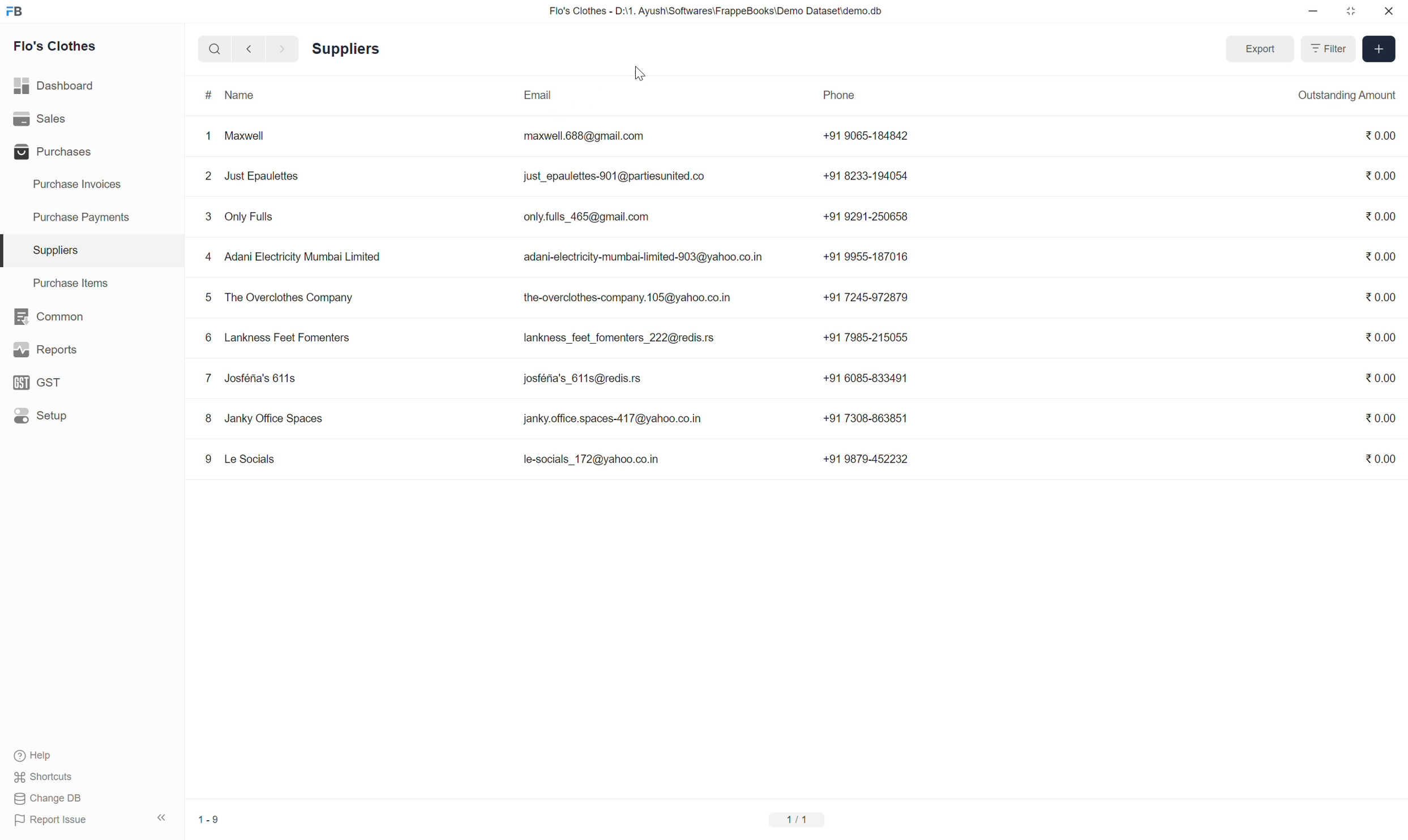 The height and width of the screenshot is (840, 1408). I want to click on 6, so click(207, 338).